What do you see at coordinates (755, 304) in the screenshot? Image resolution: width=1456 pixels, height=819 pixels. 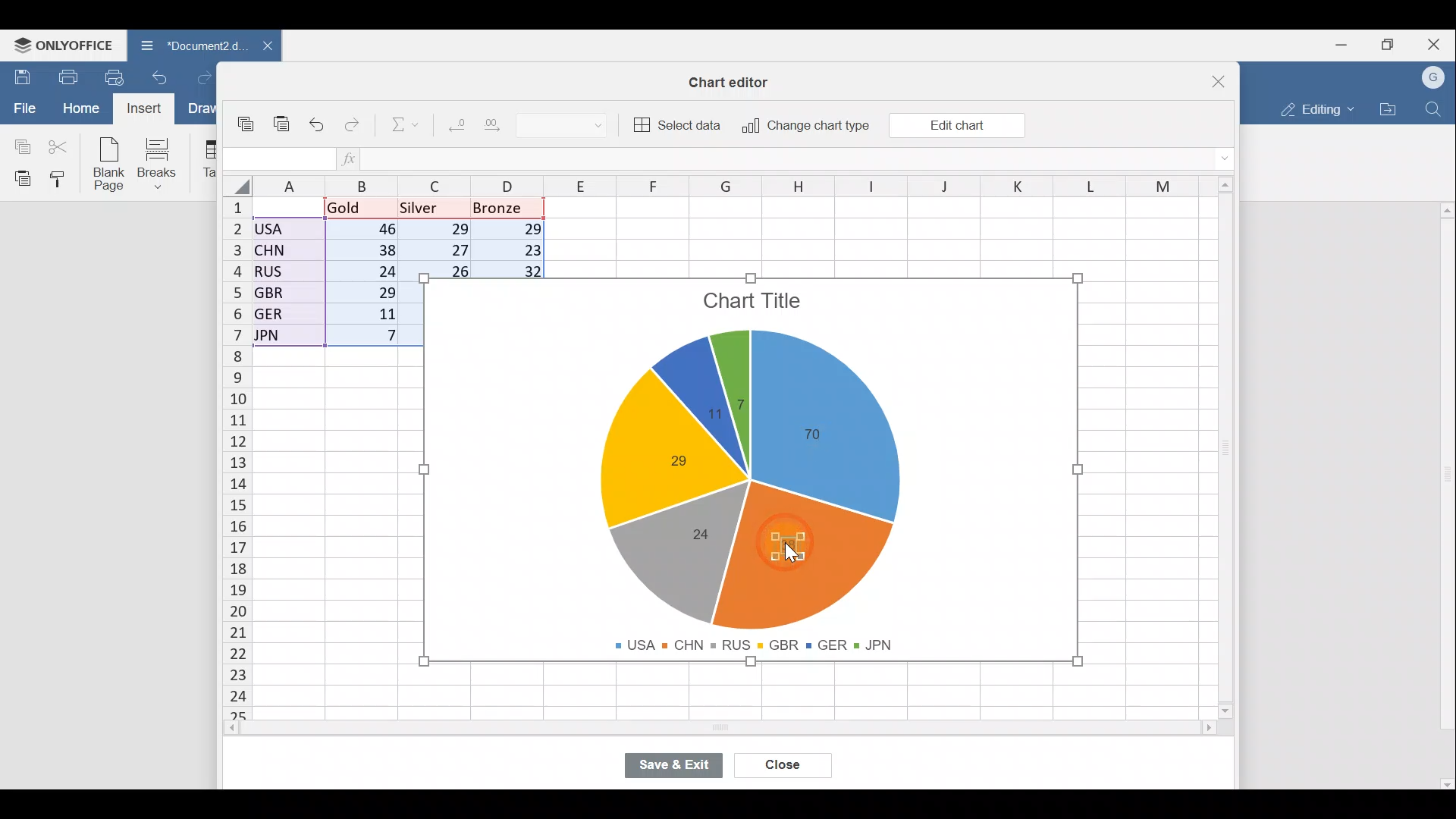 I see `Chart title` at bounding box center [755, 304].